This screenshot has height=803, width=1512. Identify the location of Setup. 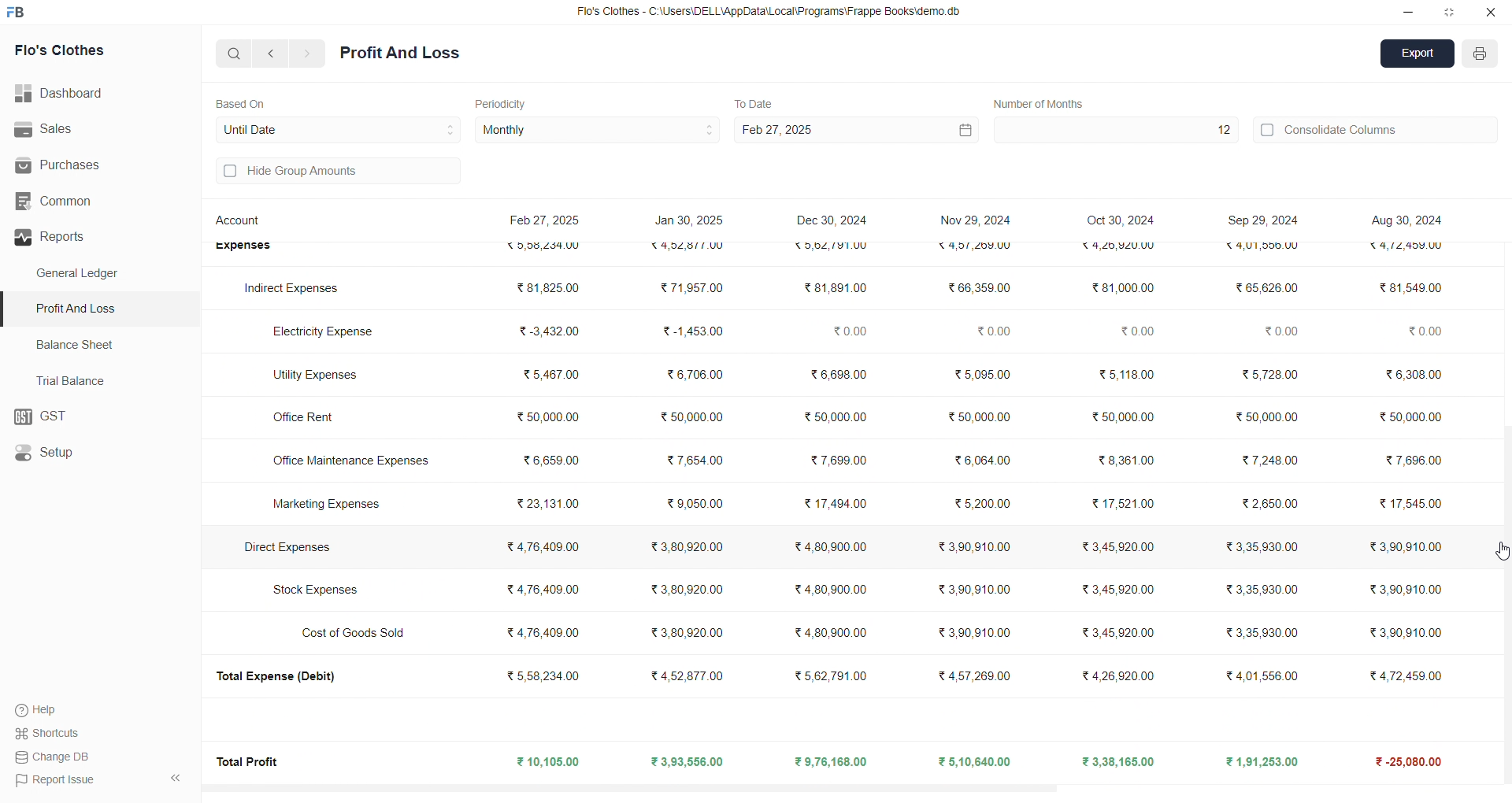
(91, 453).